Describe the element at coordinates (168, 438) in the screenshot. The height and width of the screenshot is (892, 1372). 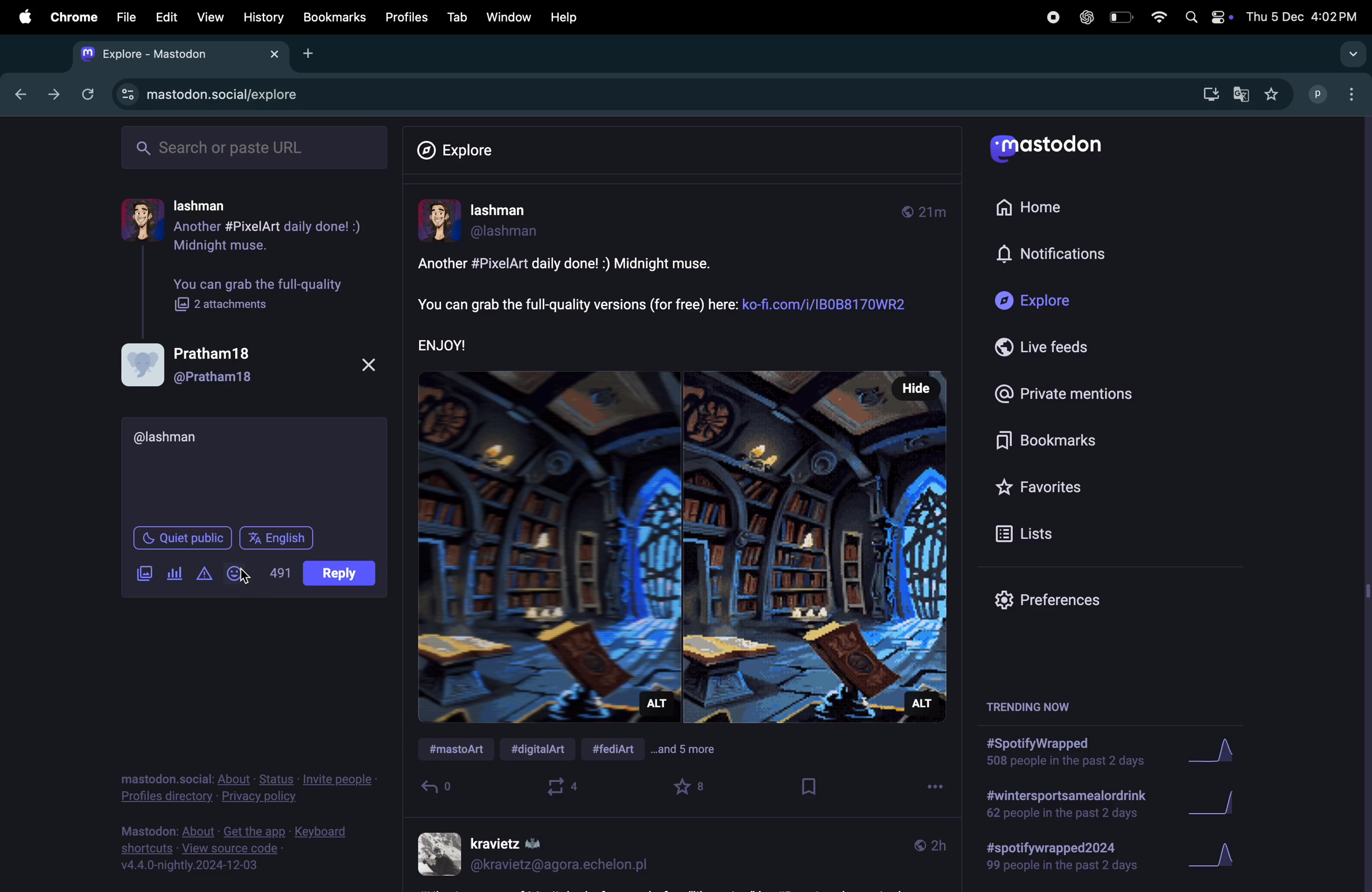
I see `username` at that location.